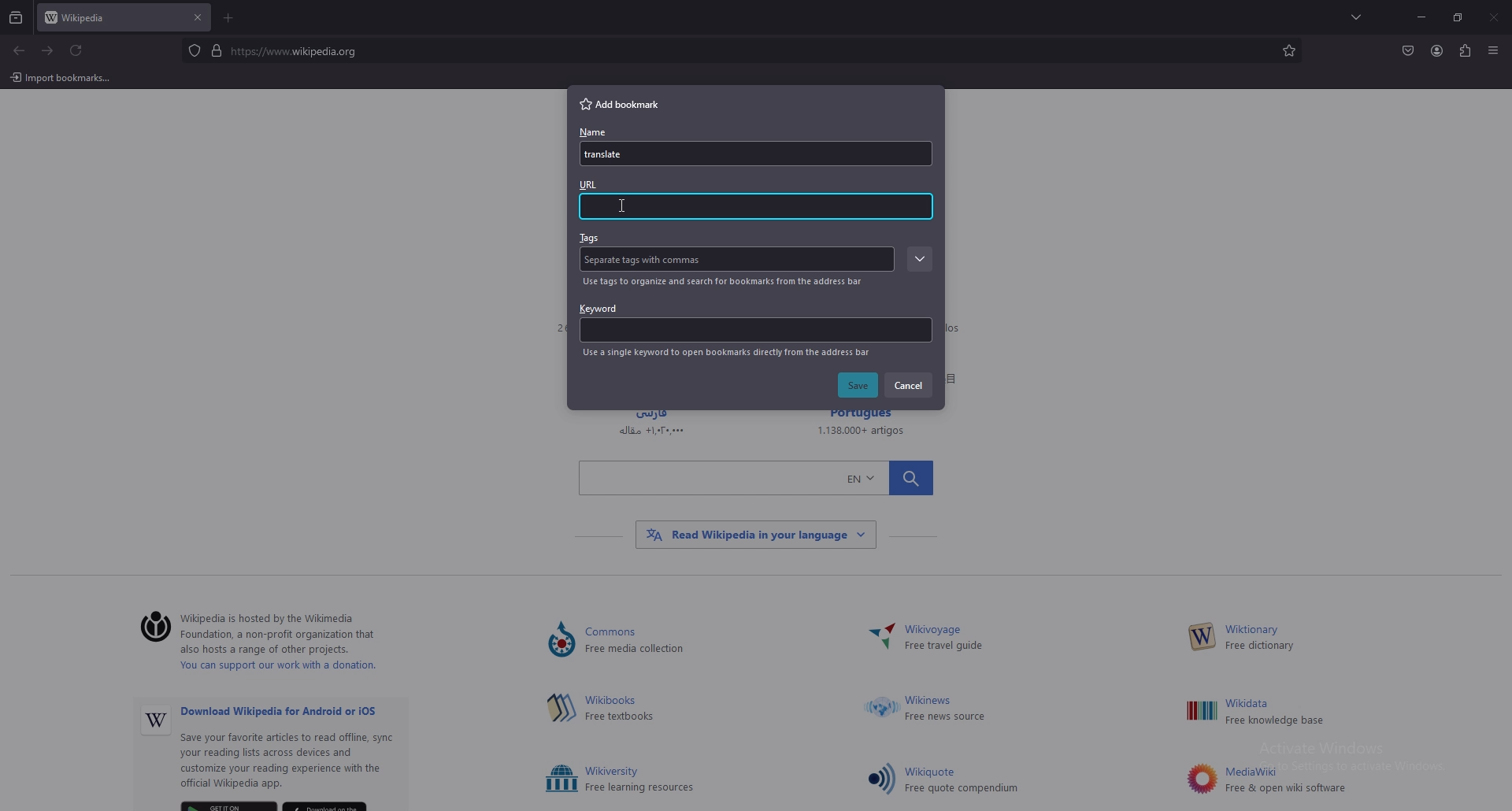 Image resolution: width=1512 pixels, height=811 pixels. What do you see at coordinates (621, 206) in the screenshot?
I see `cursor` at bounding box center [621, 206].